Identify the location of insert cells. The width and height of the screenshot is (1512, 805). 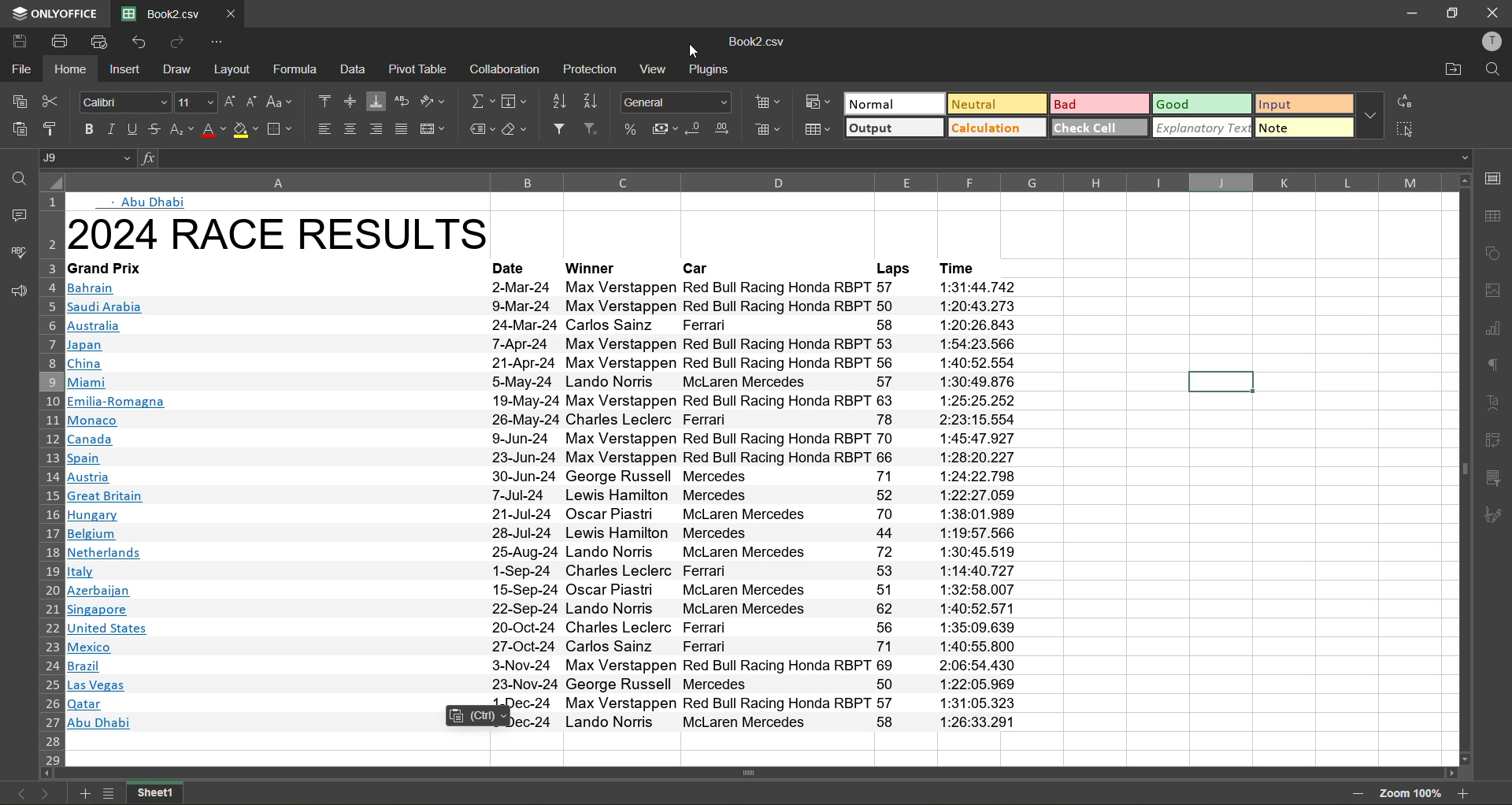
(769, 102).